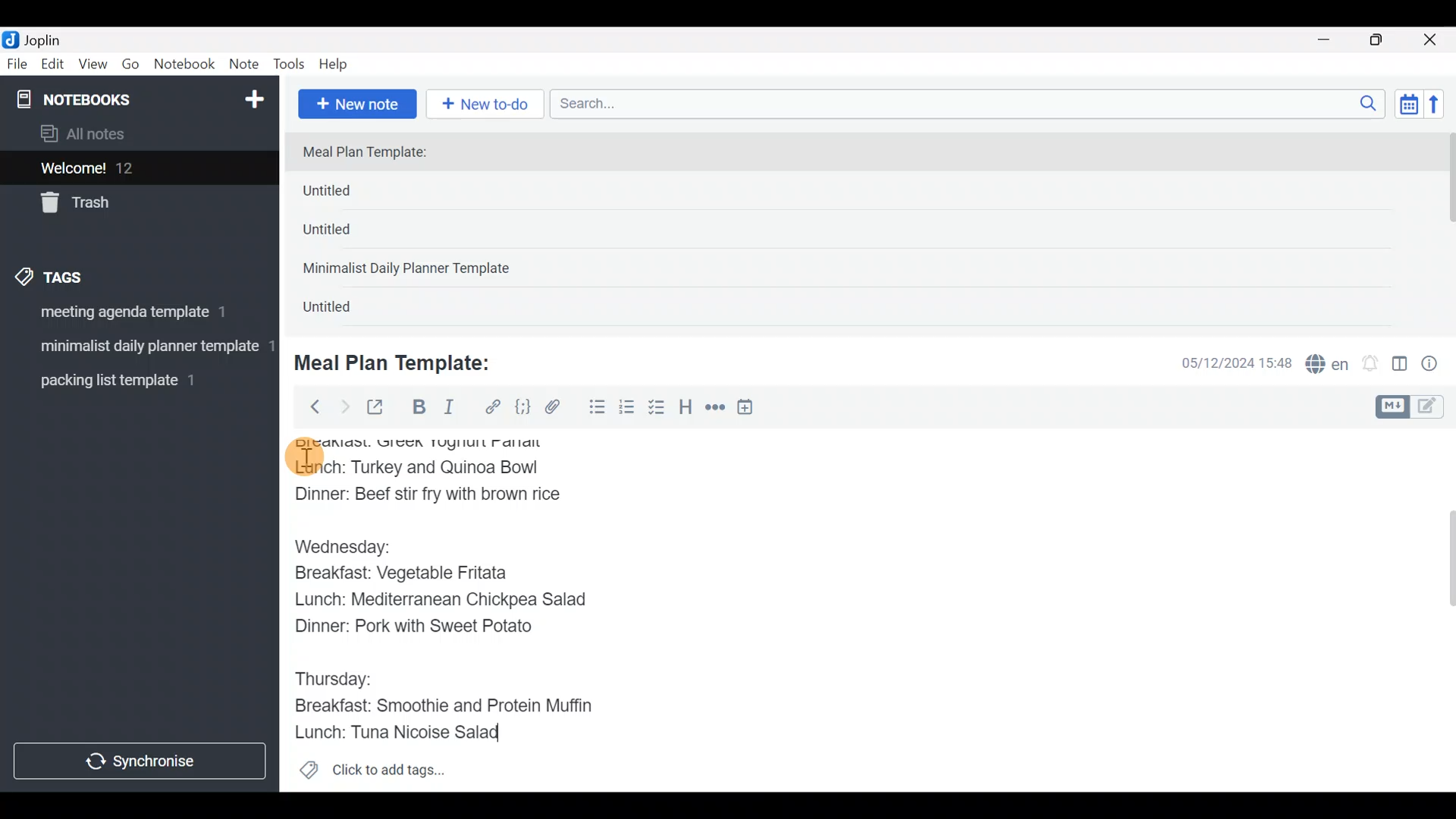  I want to click on Scroll bar, so click(1440, 610).